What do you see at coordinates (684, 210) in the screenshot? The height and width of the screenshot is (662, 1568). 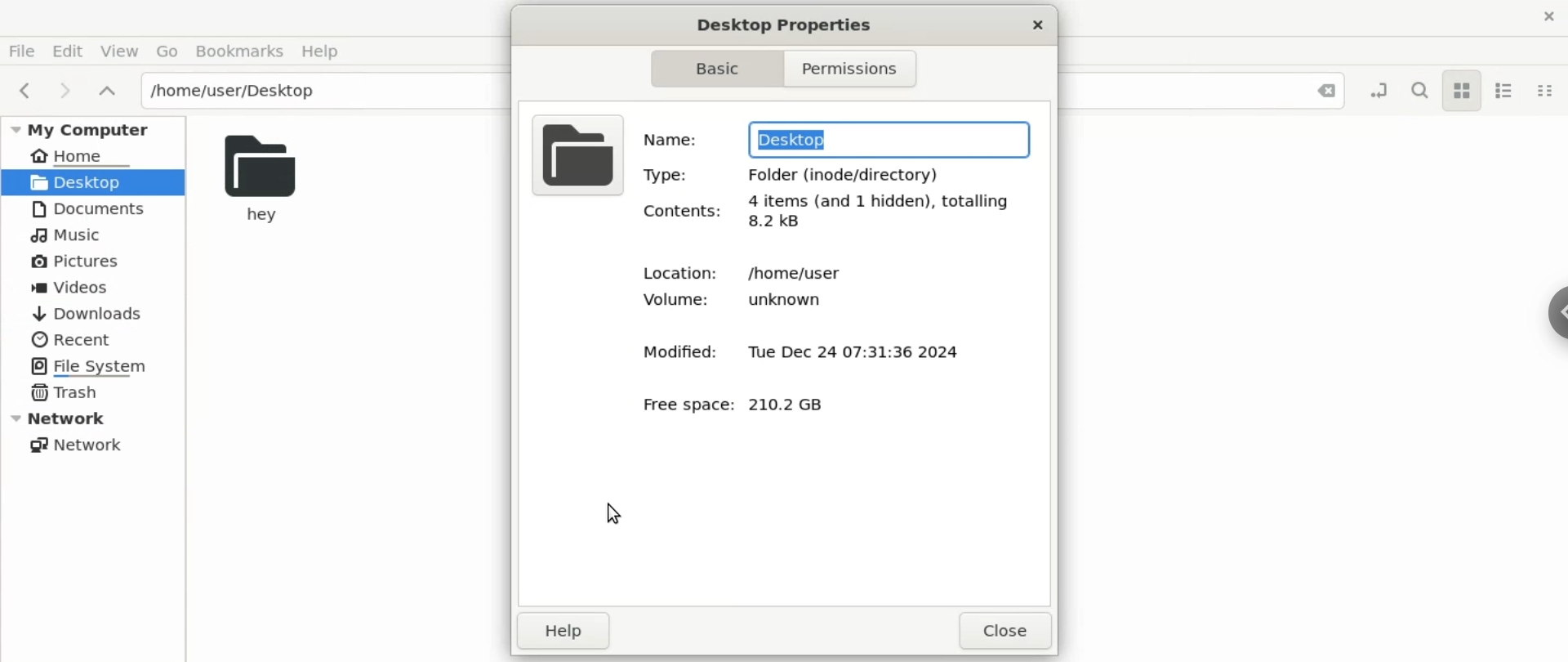 I see `contents` at bounding box center [684, 210].